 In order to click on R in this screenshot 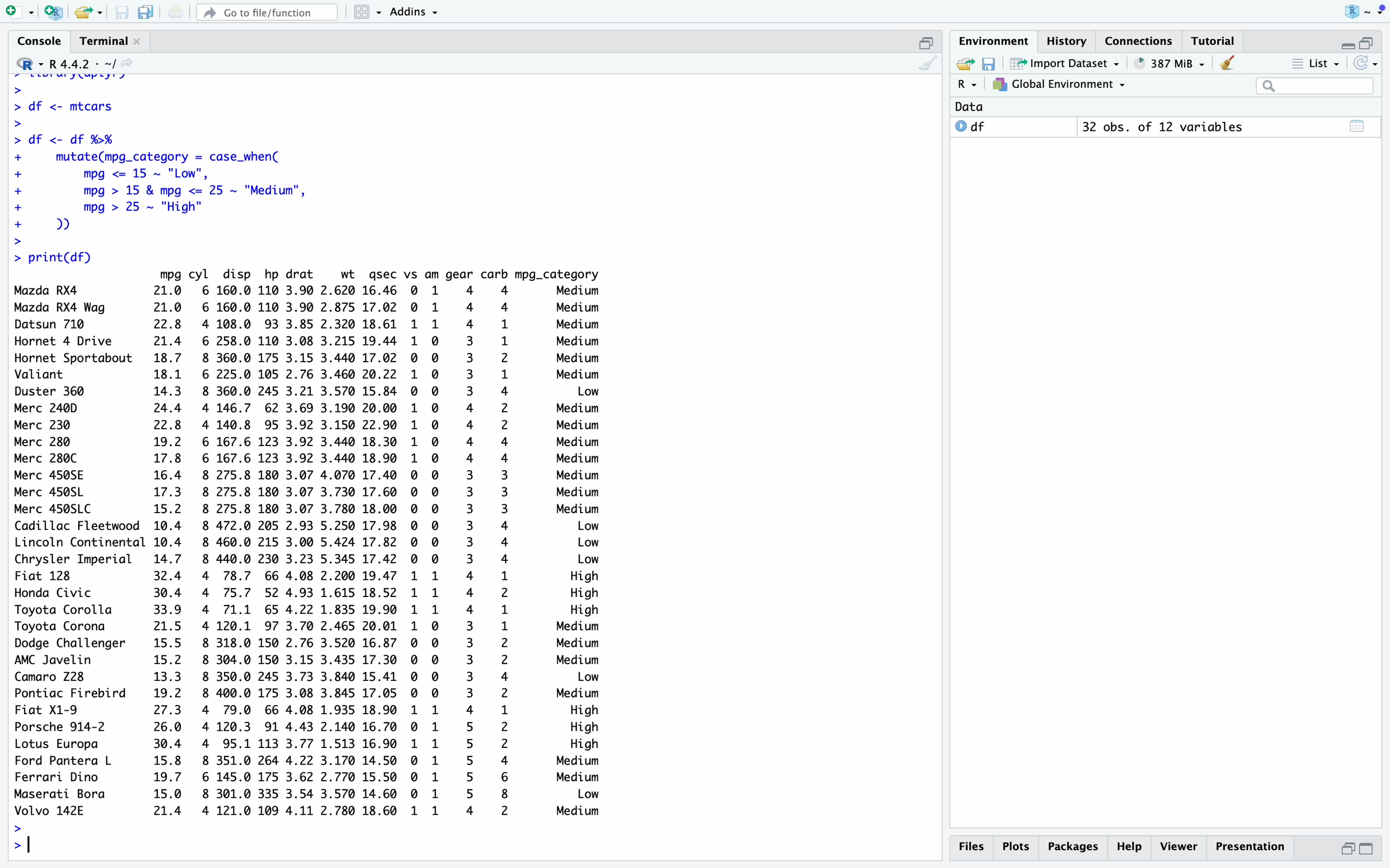, I will do `click(969, 85)`.